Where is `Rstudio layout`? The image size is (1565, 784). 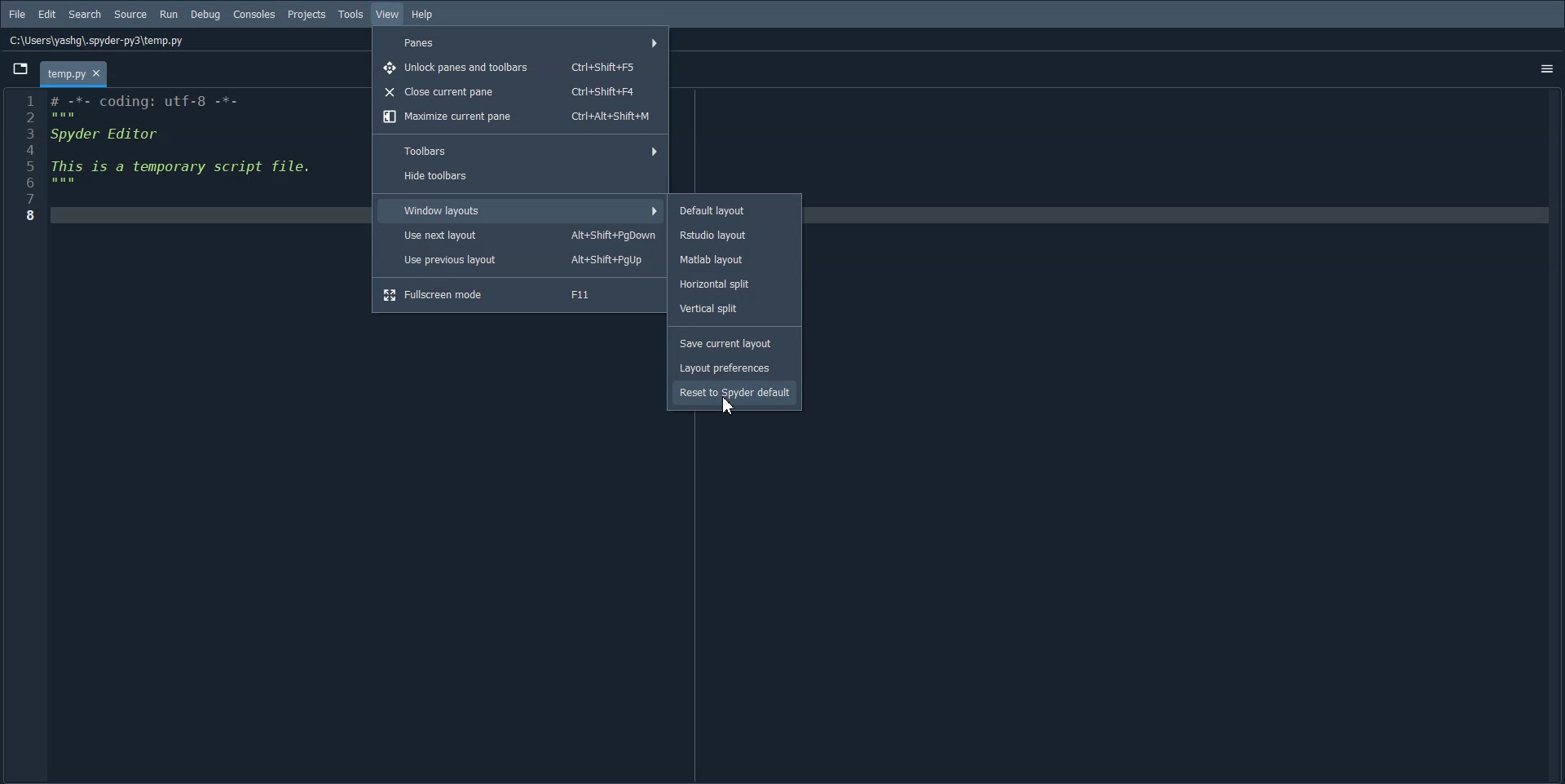
Rstudio layout is located at coordinates (736, 234).